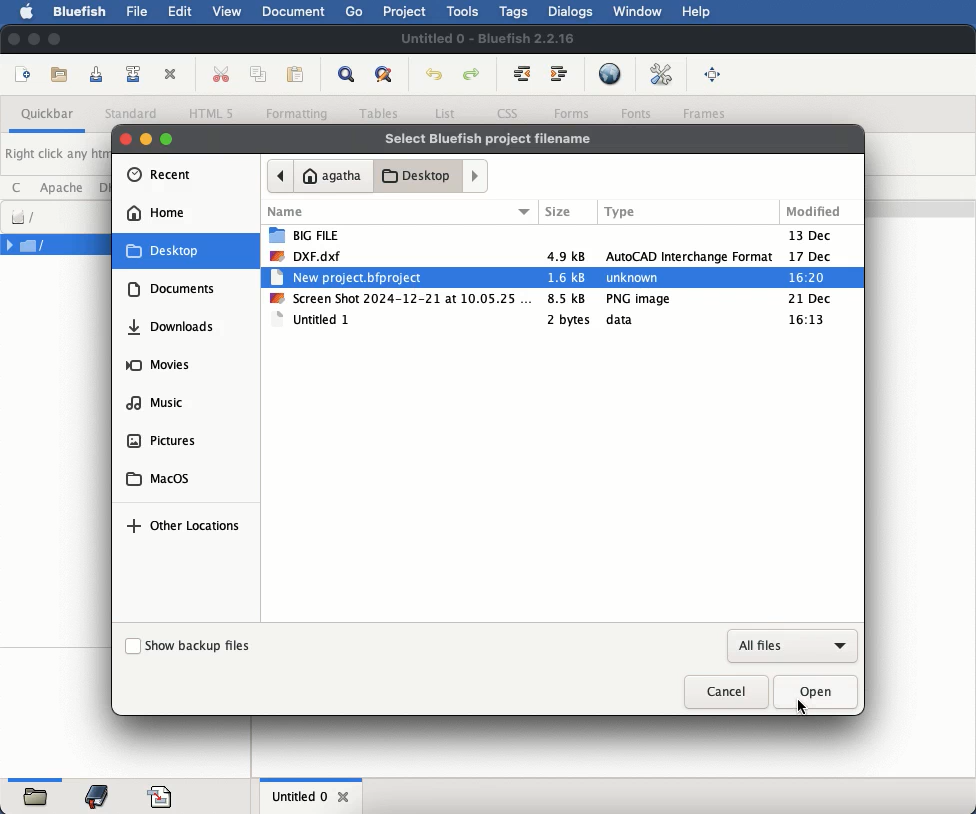  Describe the element at coordinates (309, 779) in the screenshot. I see `Horizontal Scrollbar` at that location.